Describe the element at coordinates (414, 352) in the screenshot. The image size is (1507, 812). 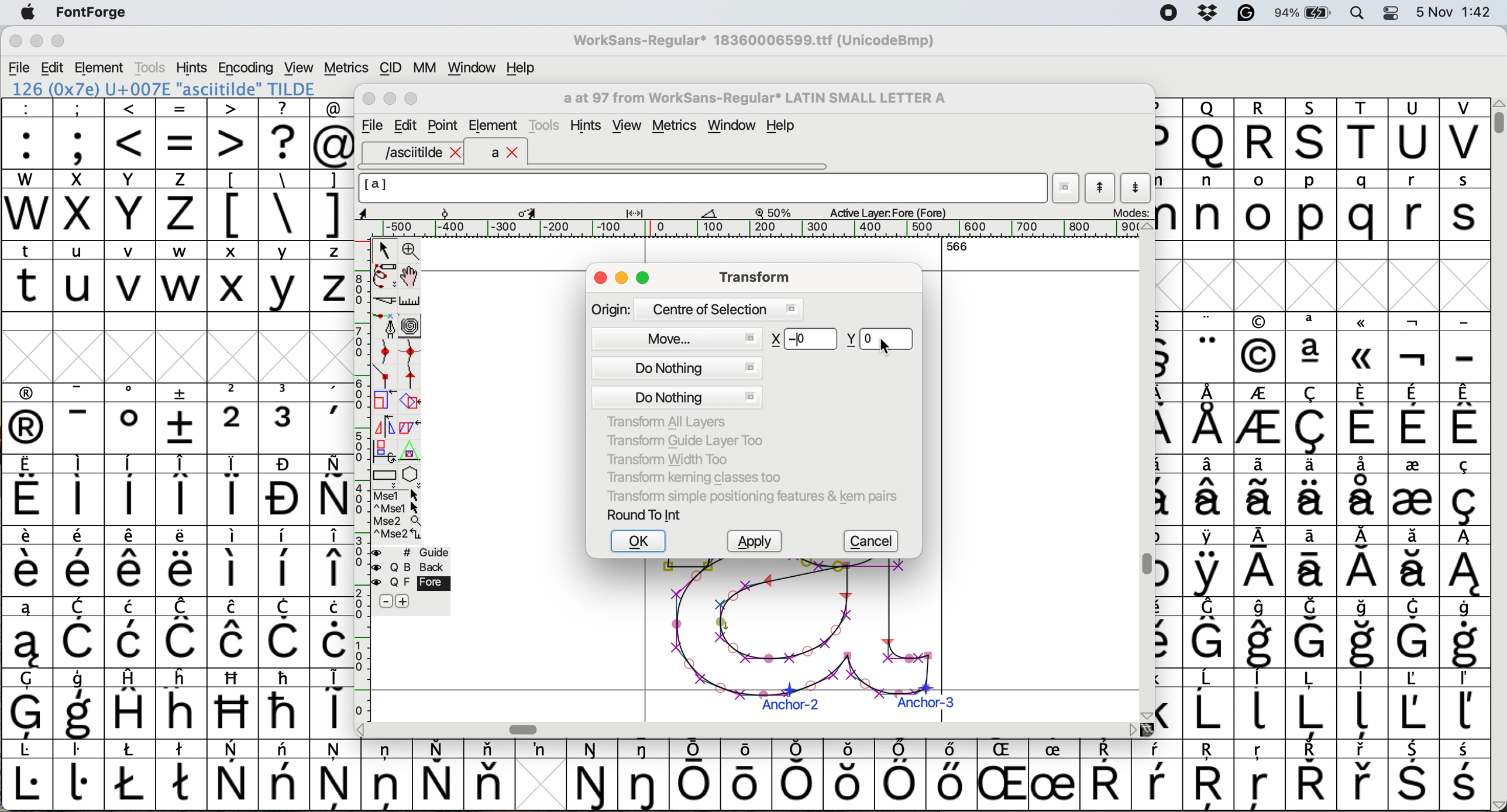
I see `add a curve point vertically or horizontally` at that location.